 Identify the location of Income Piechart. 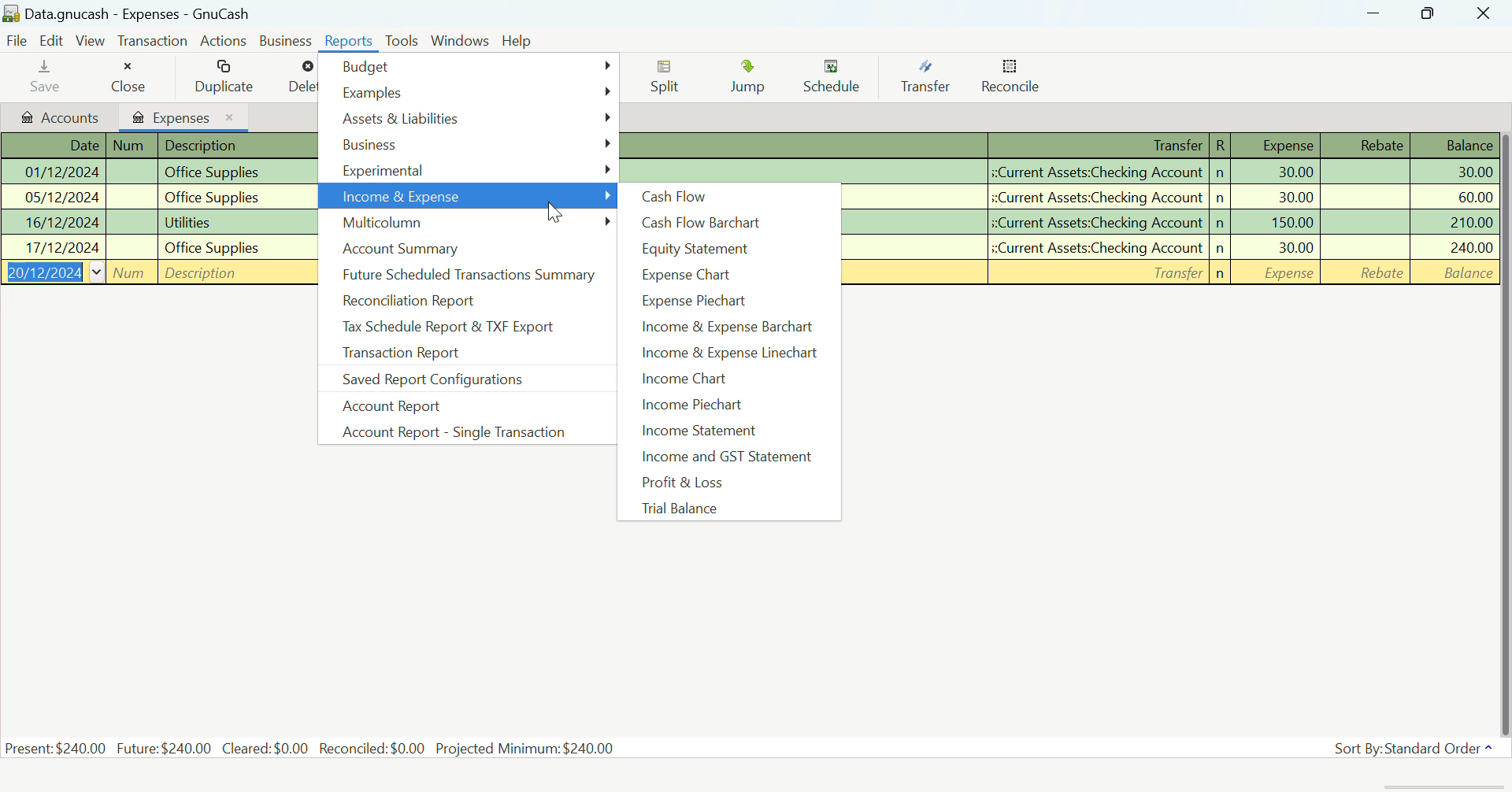
(726, 405).